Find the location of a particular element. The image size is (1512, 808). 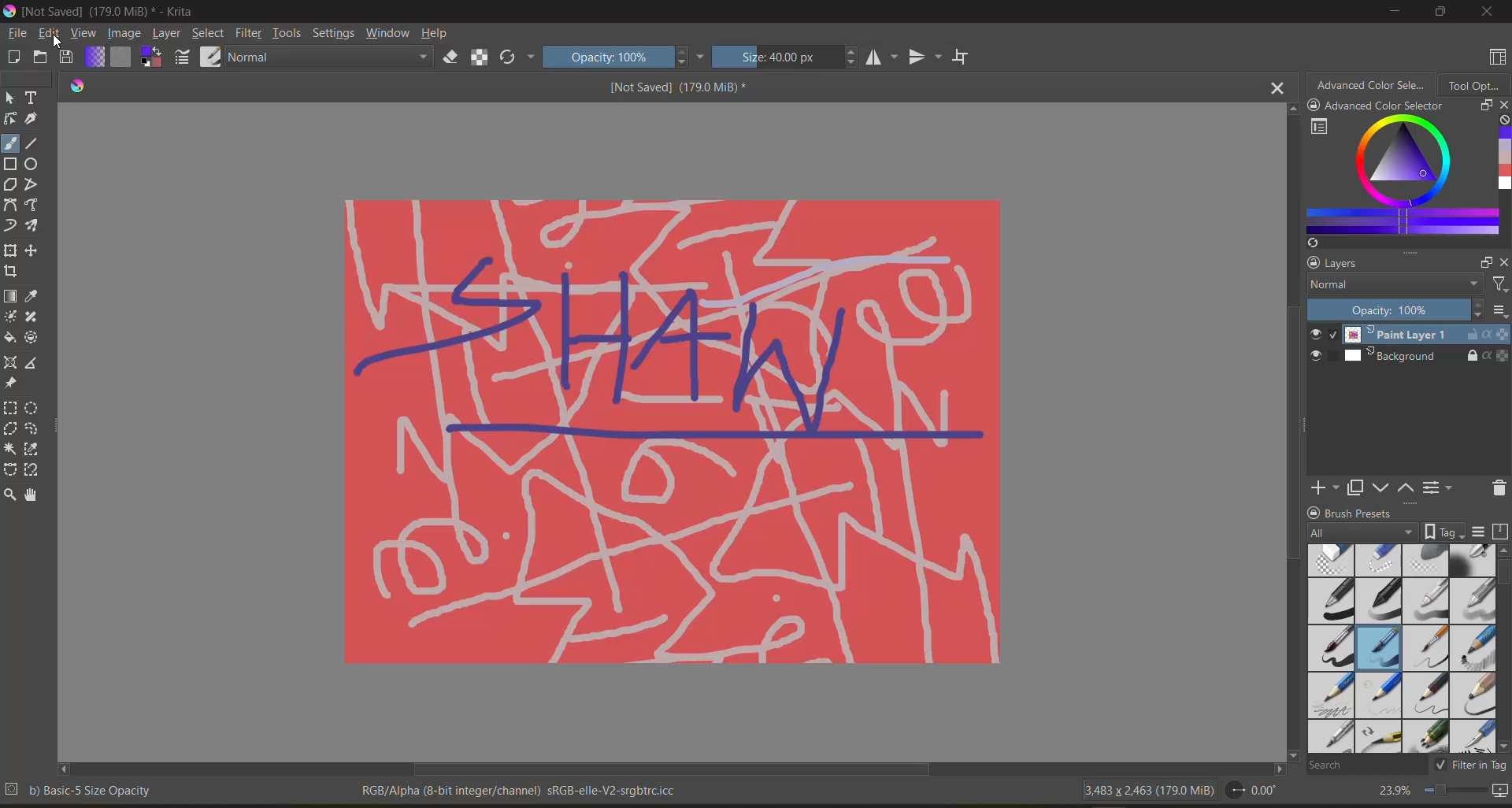

Print Layer 1 is located at coordinates (1425, 334).